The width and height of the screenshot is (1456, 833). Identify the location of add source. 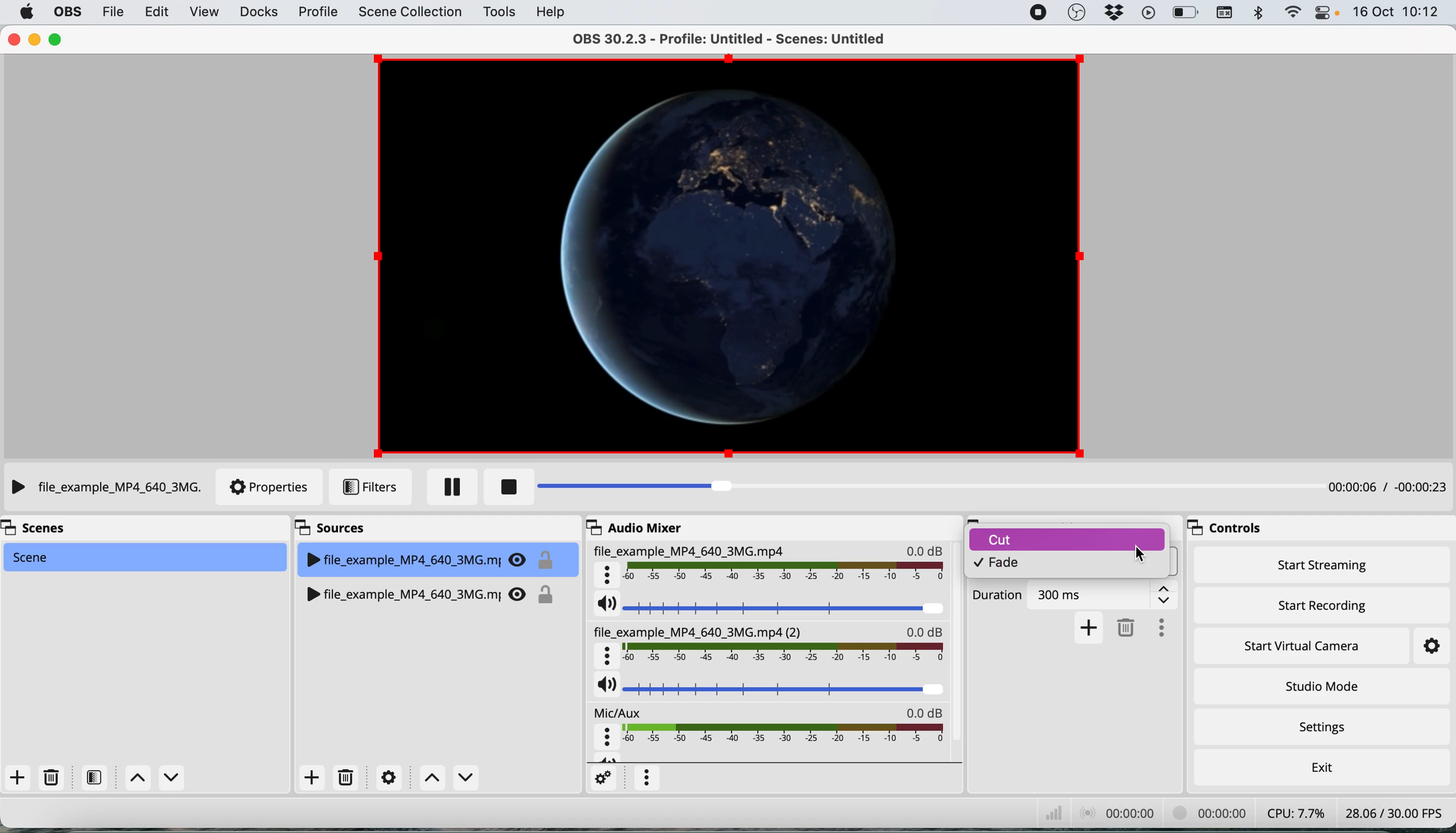
(310, 776).